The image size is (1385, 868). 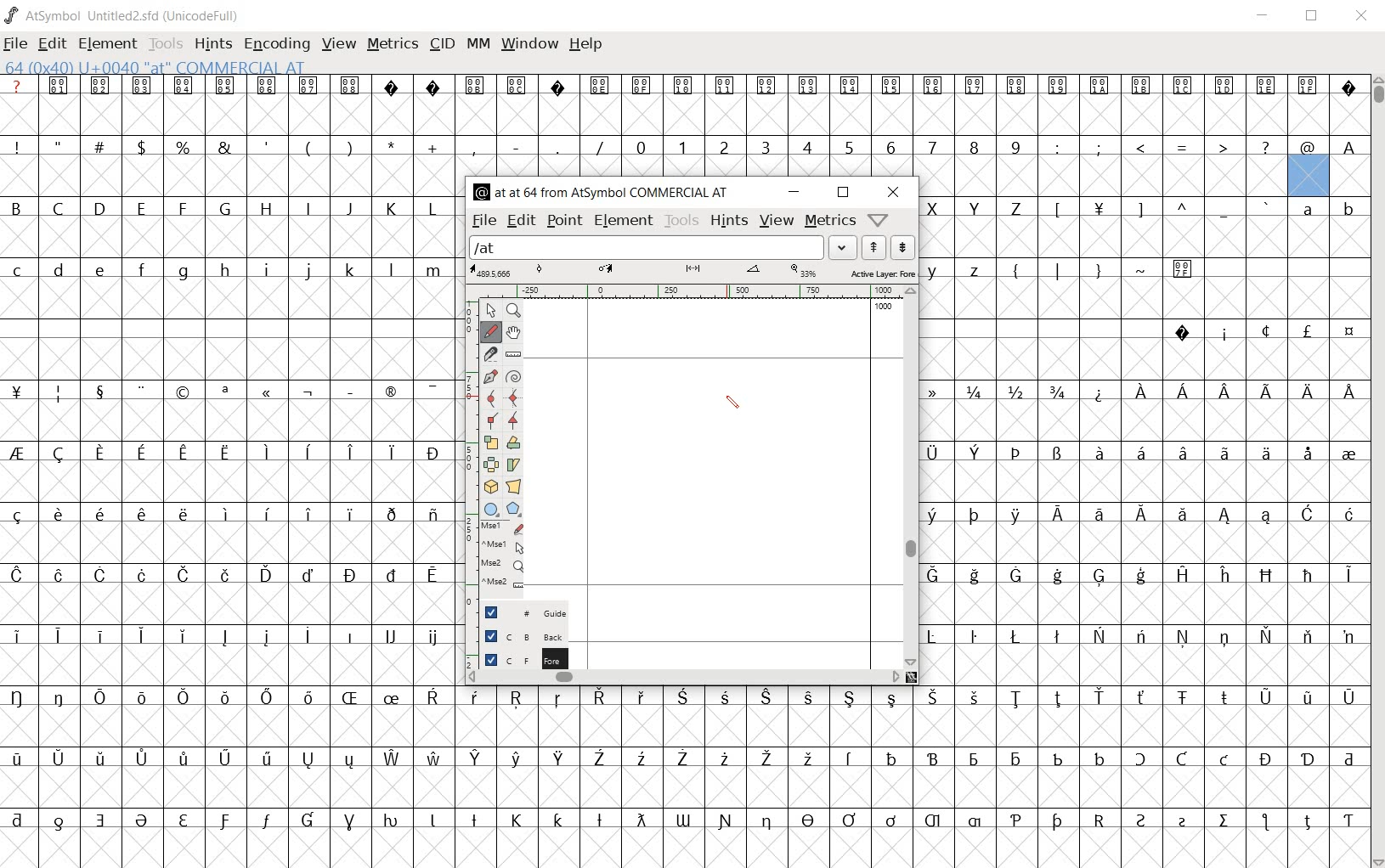 What do you see at coordinates (339, 47) in the screenshot?
I see `VIEW` at bounding box center [339, 47].